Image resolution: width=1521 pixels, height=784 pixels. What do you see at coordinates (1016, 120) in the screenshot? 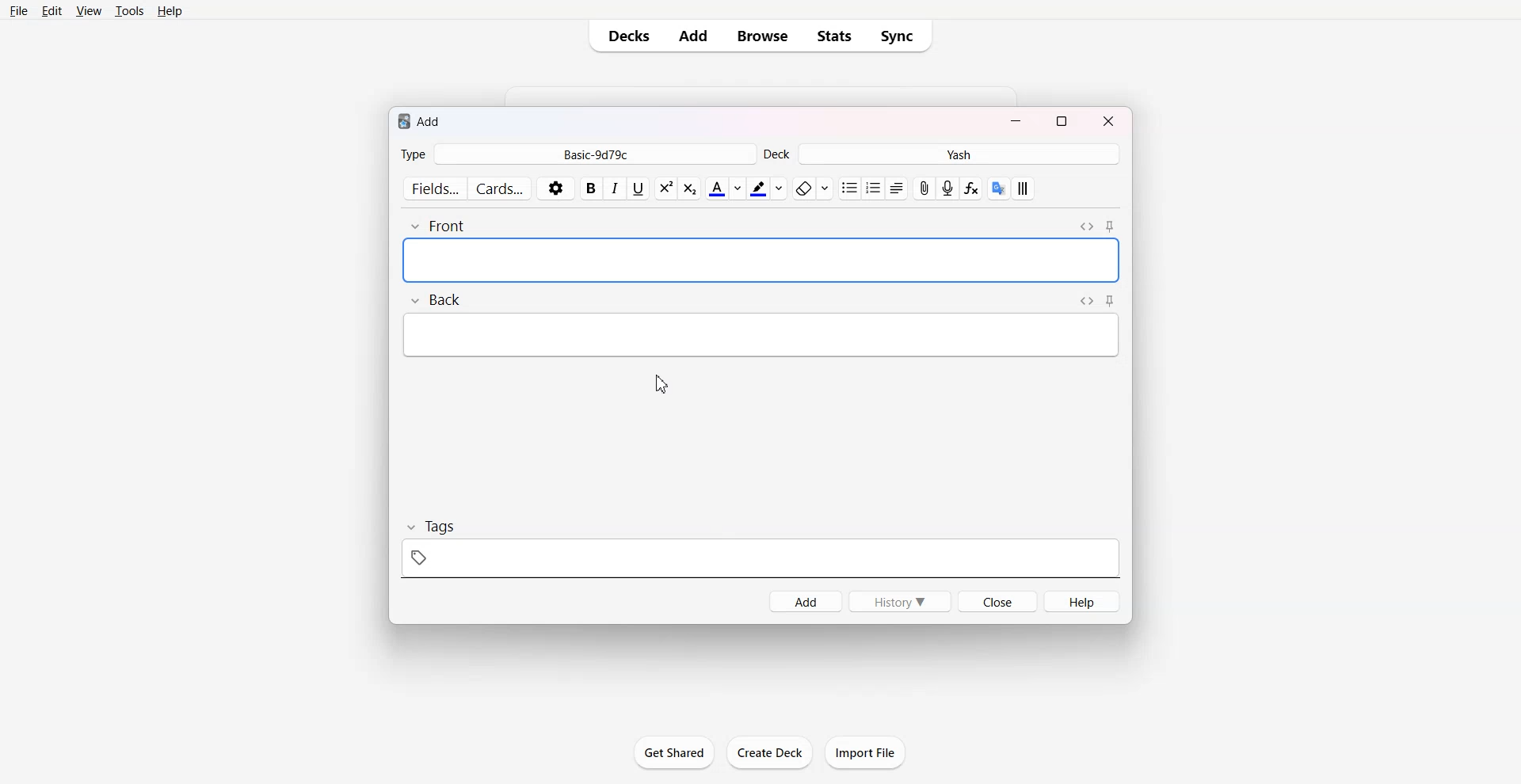
I see `Minimize` at bounding box center [1016, 120].